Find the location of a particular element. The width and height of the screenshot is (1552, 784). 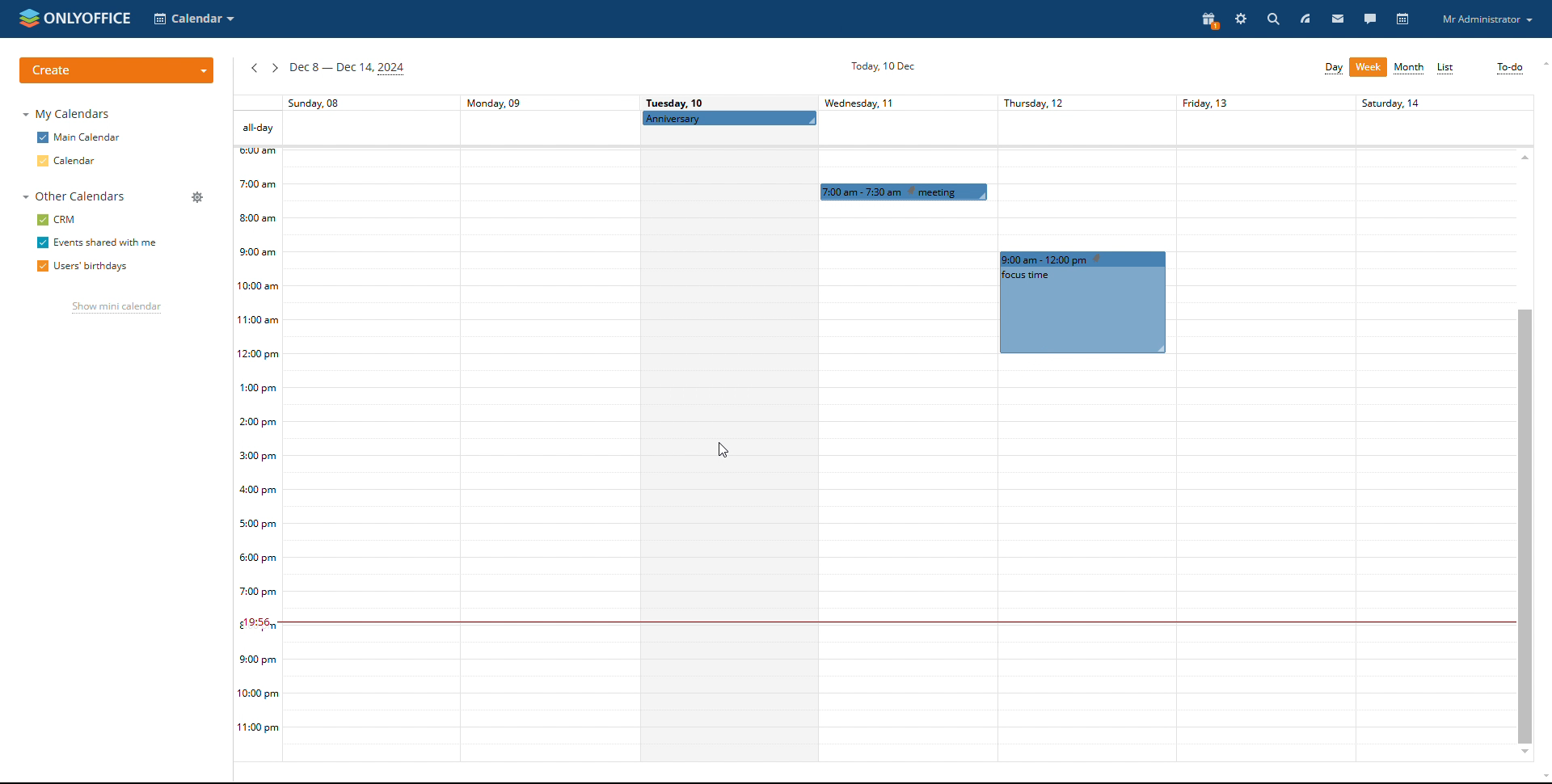

scroll down is located at coordinates (1542, 778).